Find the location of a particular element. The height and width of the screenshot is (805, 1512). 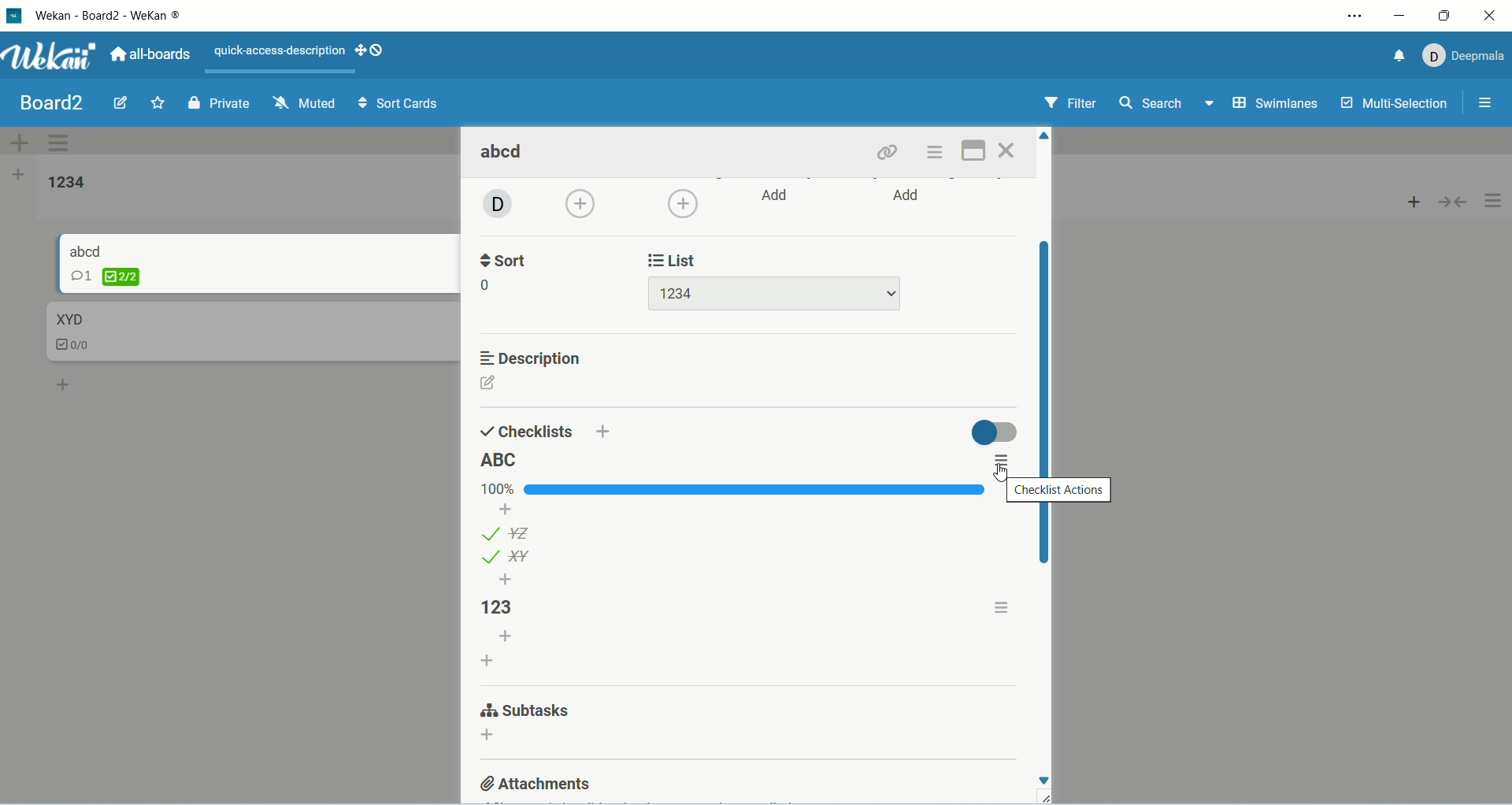

add is located at coordinates (508, 509).